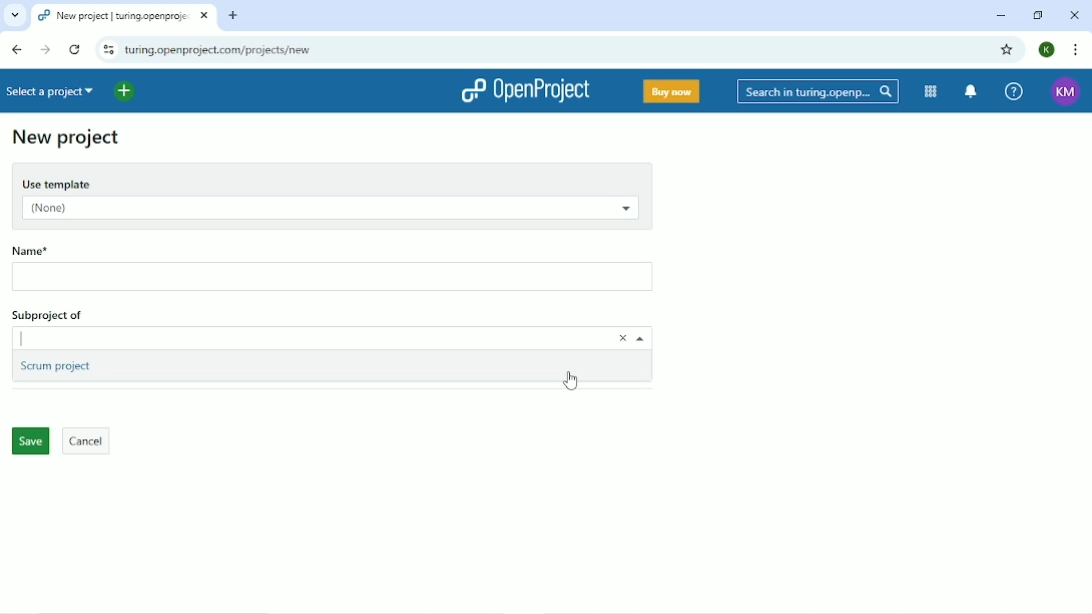 This screenshot has height=614, width=1092. Describe the element at coordinates (46, 50) in the screenshot. I see `Forward` at that location.